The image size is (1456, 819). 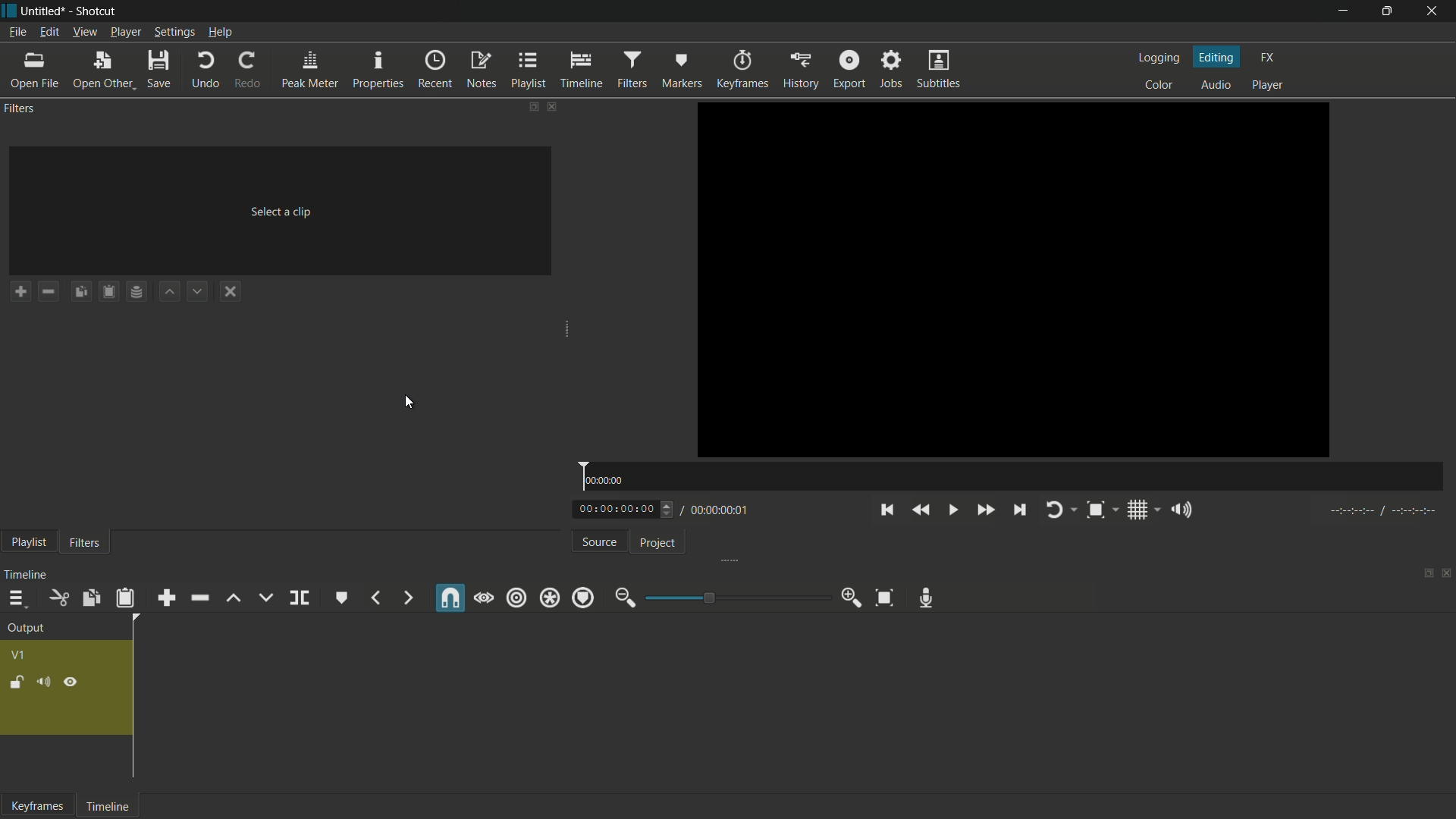 I want to click on playlist, so click(x=28, y=543).